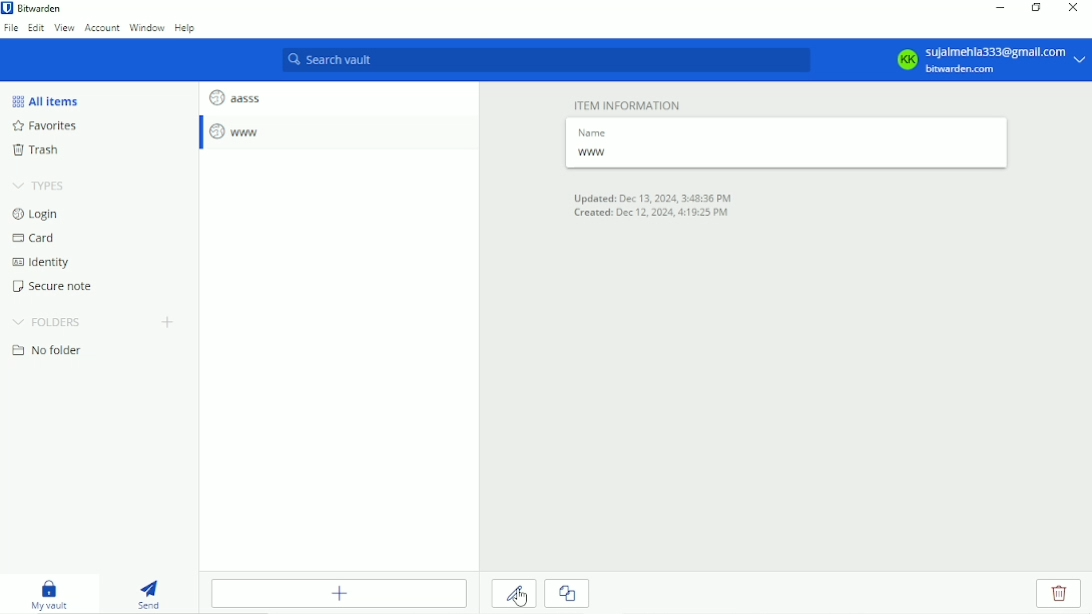  I want to click on My vault, so click(53, 594).